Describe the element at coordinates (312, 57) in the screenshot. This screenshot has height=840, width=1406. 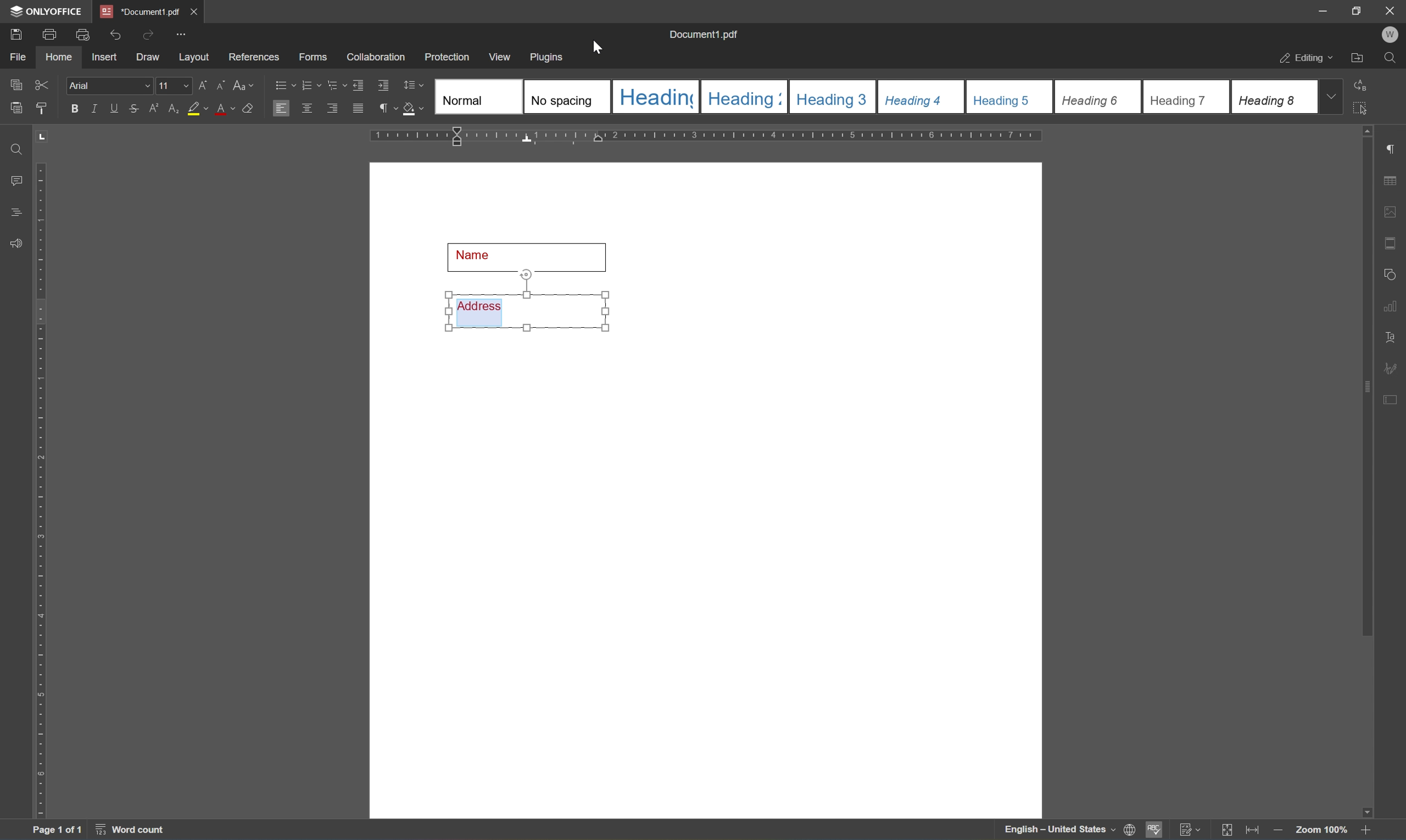
I see `forms` at that location.